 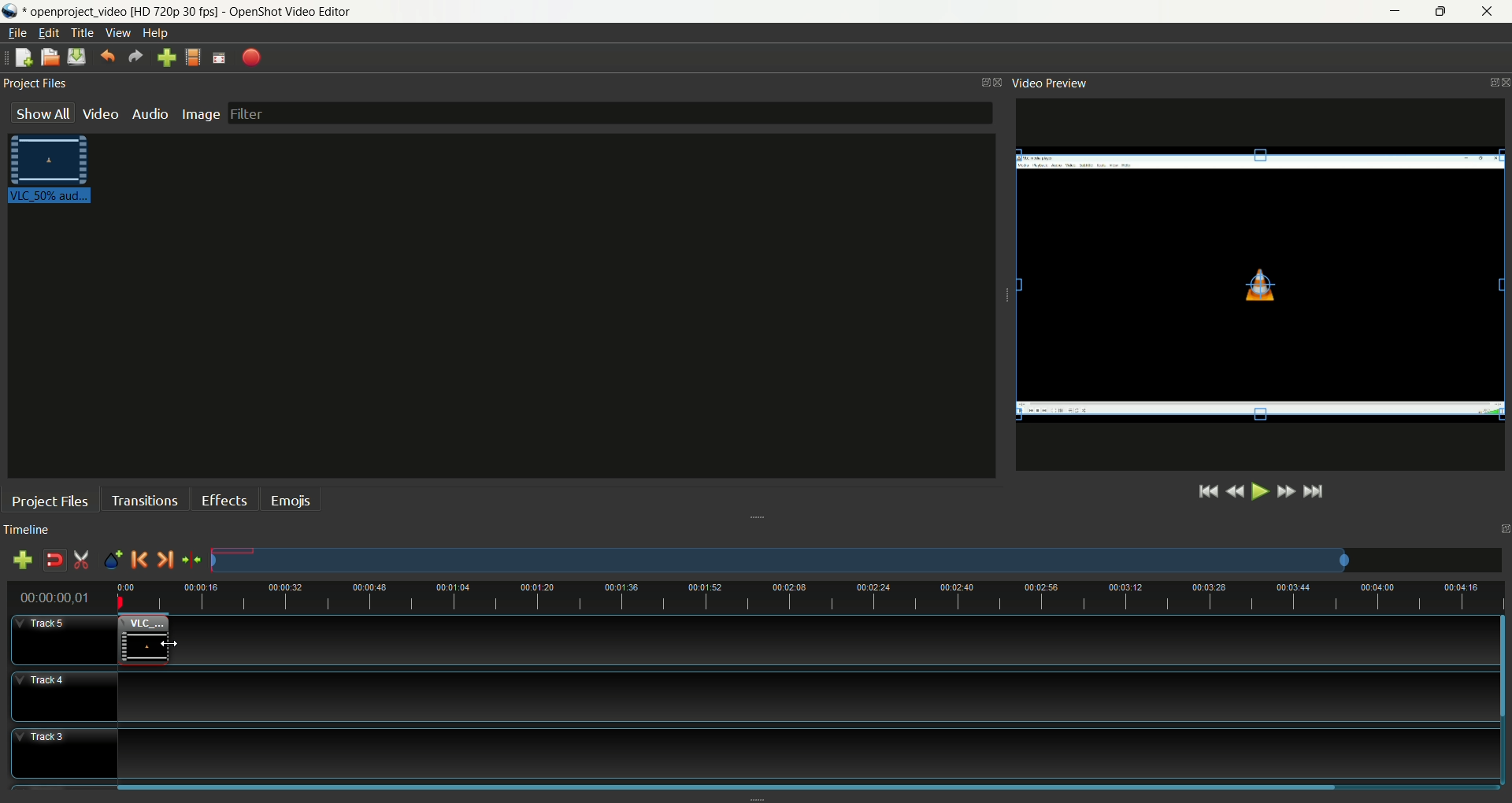 I want to click on save project, so click(x=77, y=57).